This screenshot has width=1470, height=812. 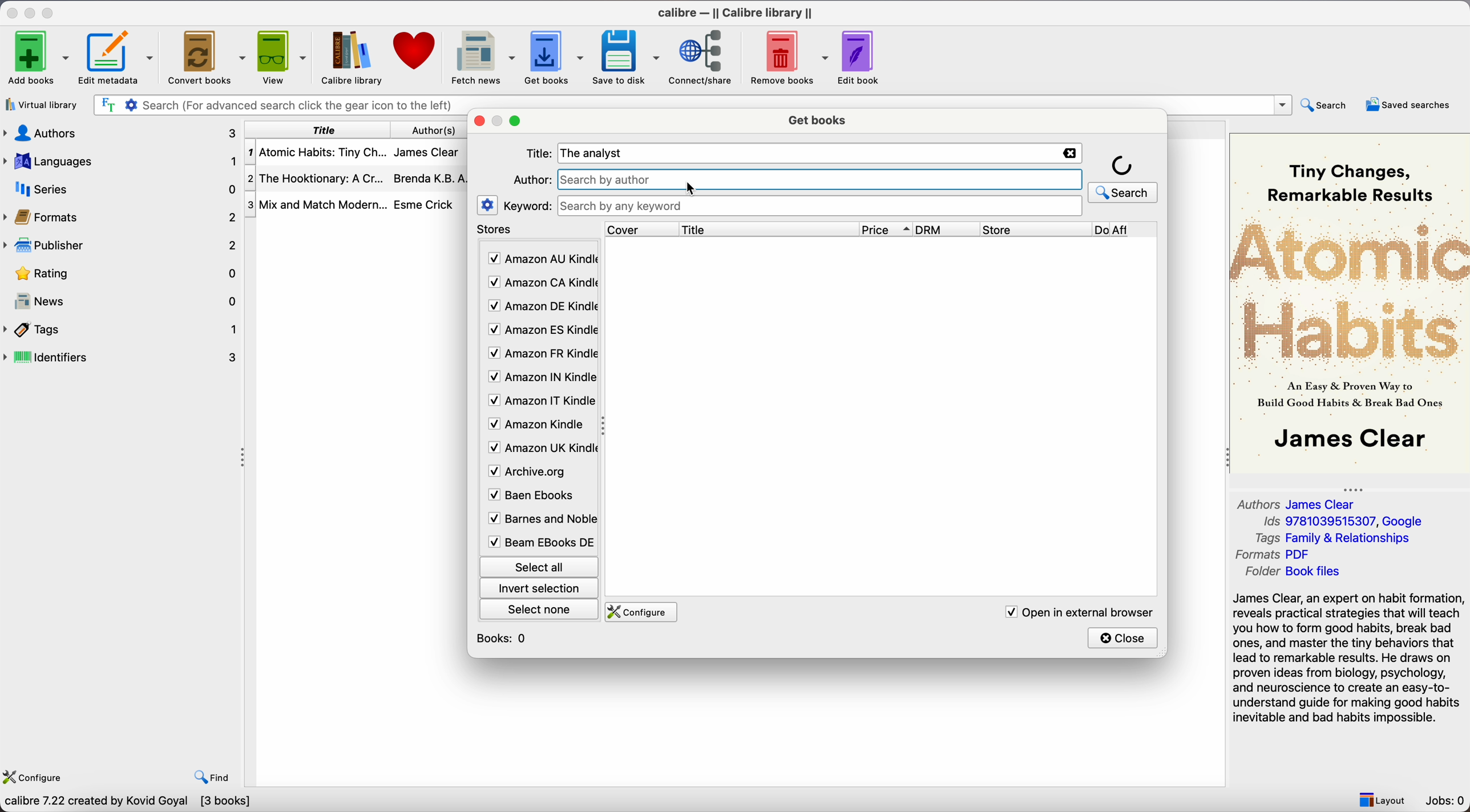 What do you see at coordinates (551, 58) in the screenshot?
I see `click on get books` at bounding box center [551, 58].